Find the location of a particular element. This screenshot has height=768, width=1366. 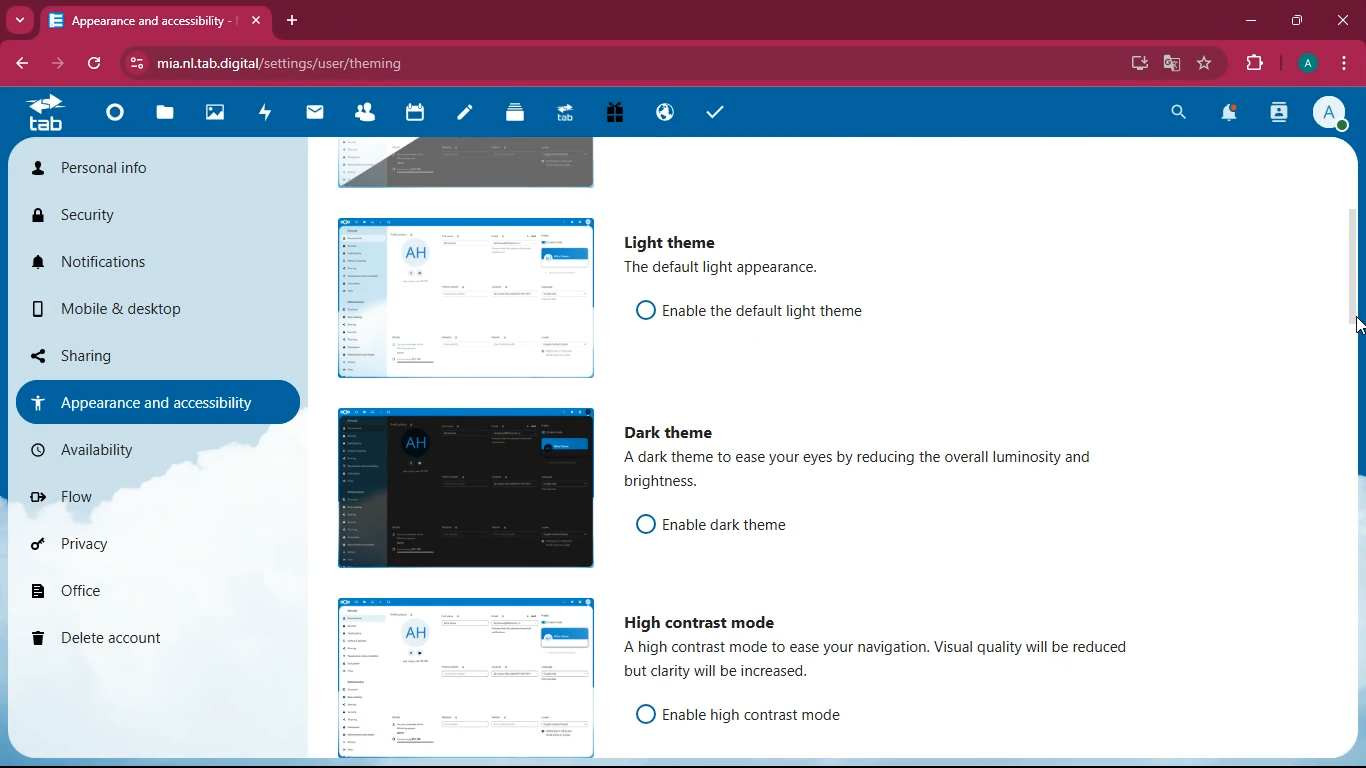

mobile is located at coordinates (117, 309).